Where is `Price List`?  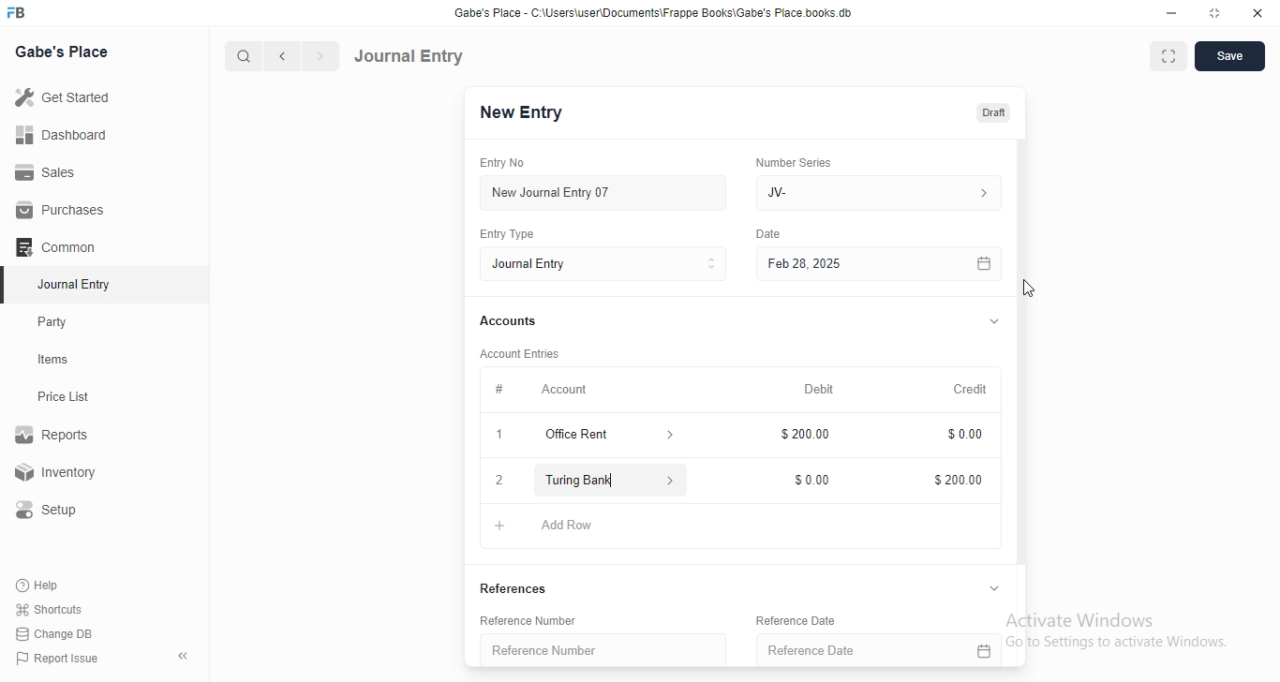 Price List is located at coordinates (62, 397).